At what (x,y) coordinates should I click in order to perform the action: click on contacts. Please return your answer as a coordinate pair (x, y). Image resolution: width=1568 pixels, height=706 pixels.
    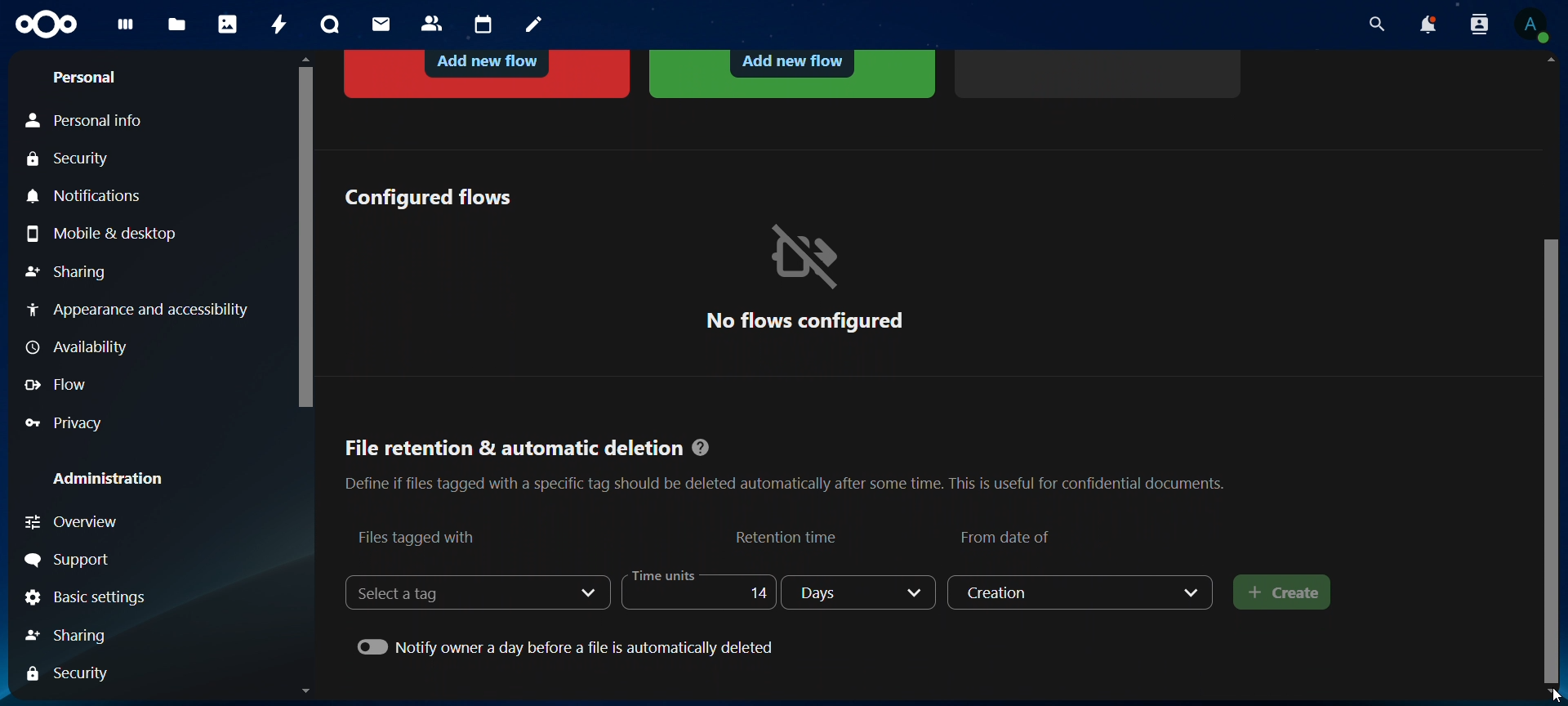
    Looking at the image, I should click on (433, 25).